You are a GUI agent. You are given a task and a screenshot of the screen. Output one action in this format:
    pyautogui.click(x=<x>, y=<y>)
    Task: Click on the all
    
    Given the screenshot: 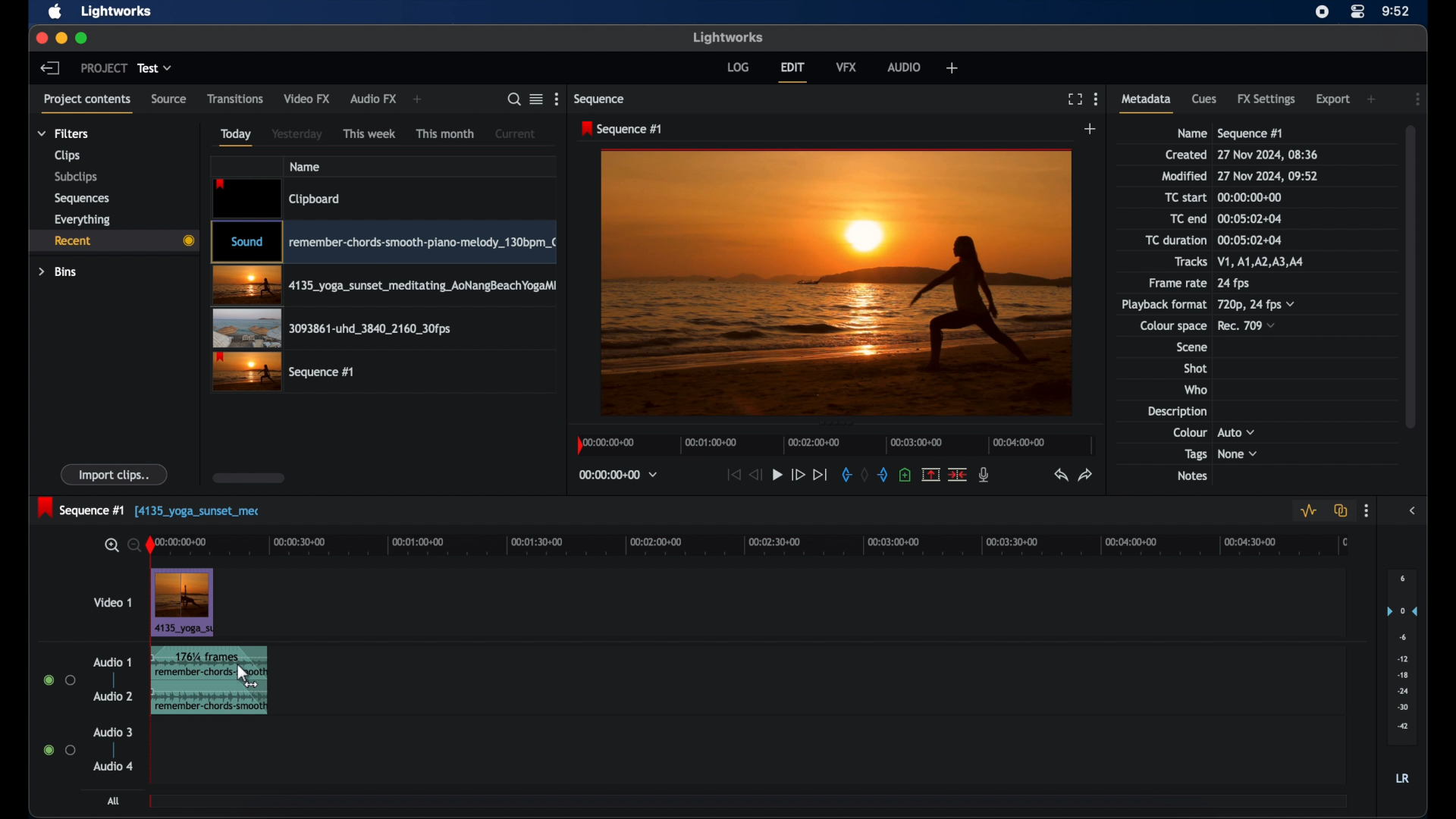 What is the action you would take?
    pyautogui.click(x=115, y=801)
    